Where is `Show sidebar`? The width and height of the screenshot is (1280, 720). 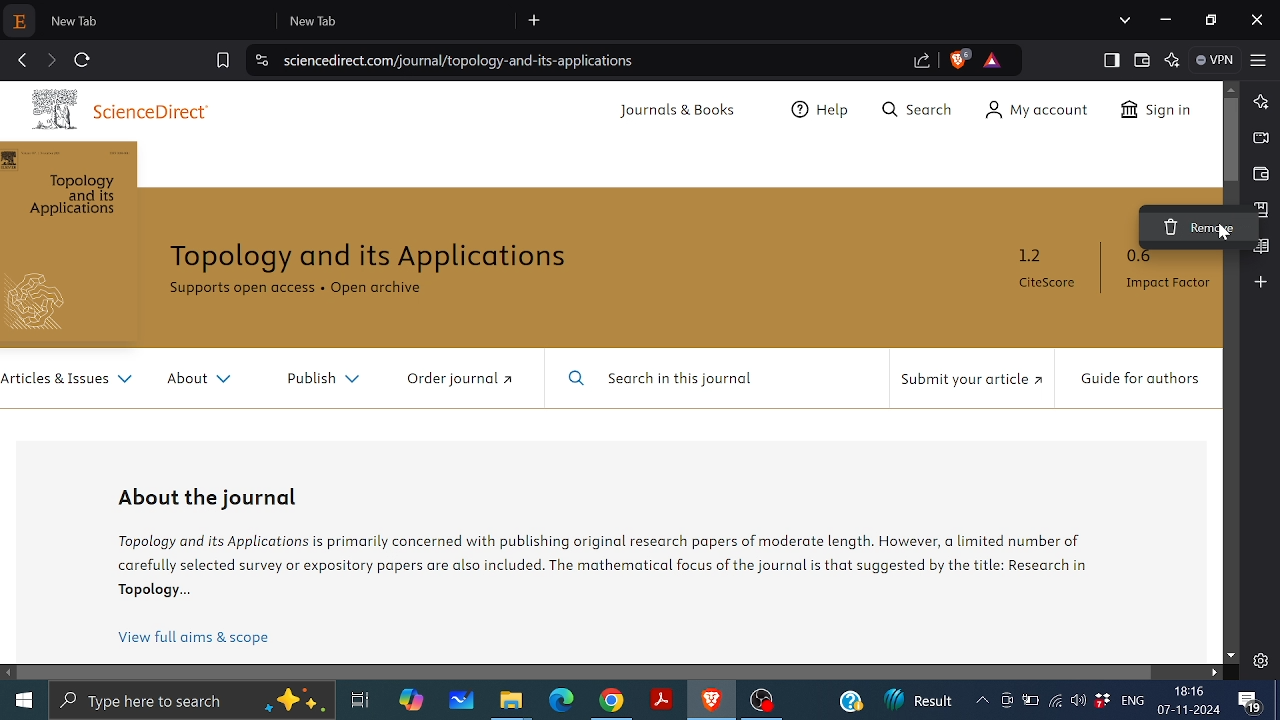
Show sidebar is located at coordinates (1109, 60).